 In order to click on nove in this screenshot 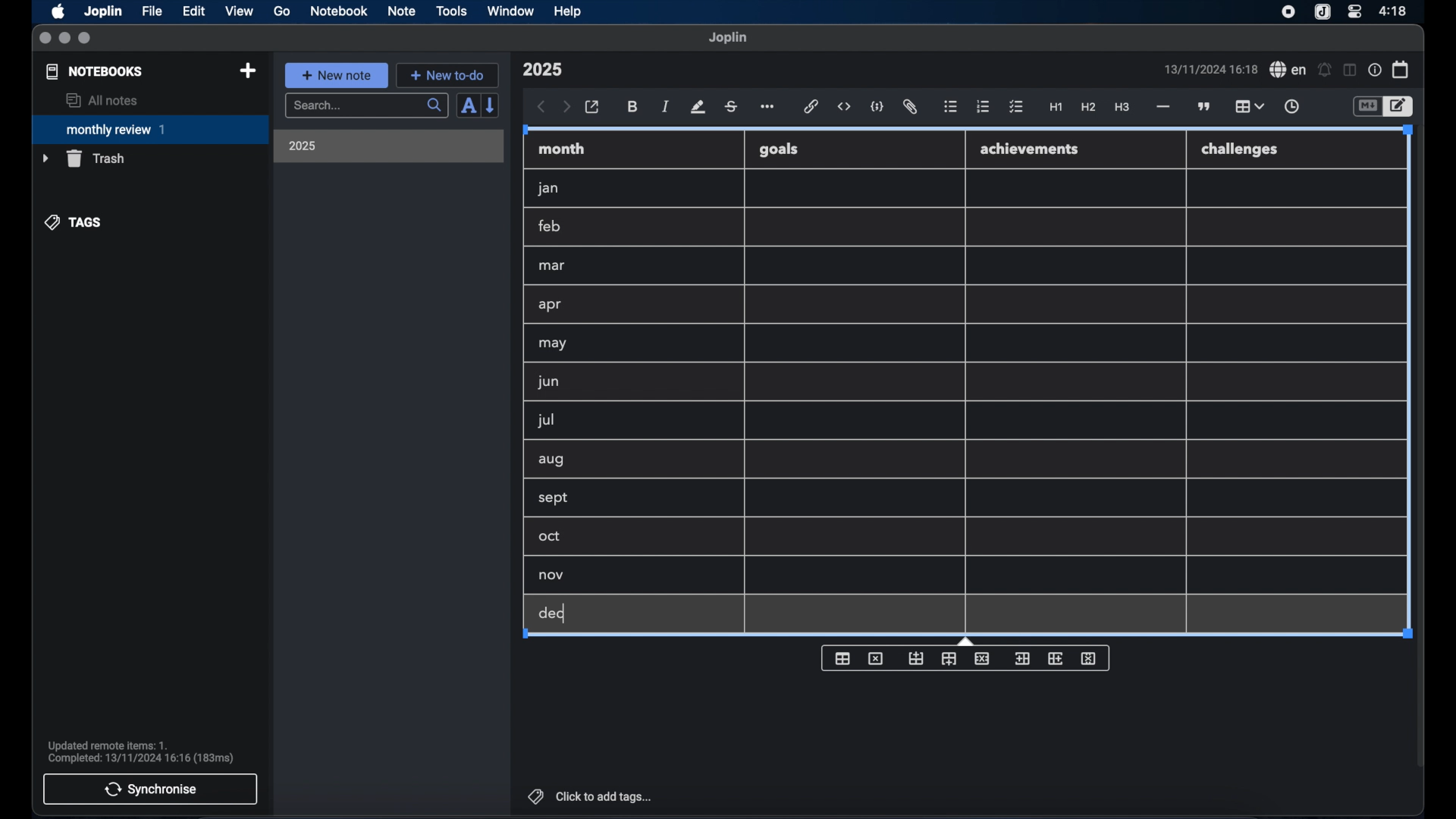, I will do `click(552, 576)`.